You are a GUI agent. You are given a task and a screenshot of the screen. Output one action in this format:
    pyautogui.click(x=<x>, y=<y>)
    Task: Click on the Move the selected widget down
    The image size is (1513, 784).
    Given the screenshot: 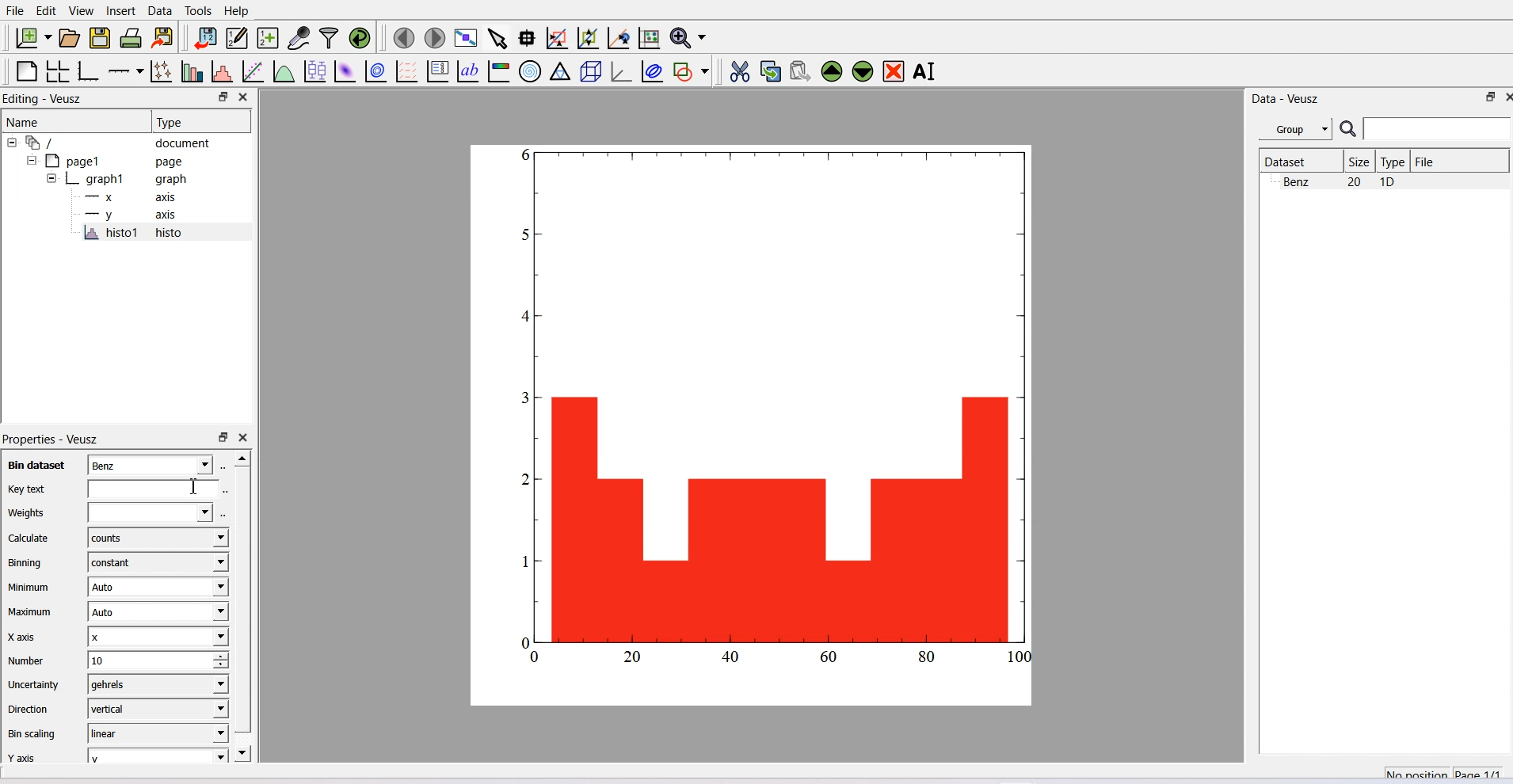 What is the action you would take?
    pyautogui.click(x=862, y=72)
    